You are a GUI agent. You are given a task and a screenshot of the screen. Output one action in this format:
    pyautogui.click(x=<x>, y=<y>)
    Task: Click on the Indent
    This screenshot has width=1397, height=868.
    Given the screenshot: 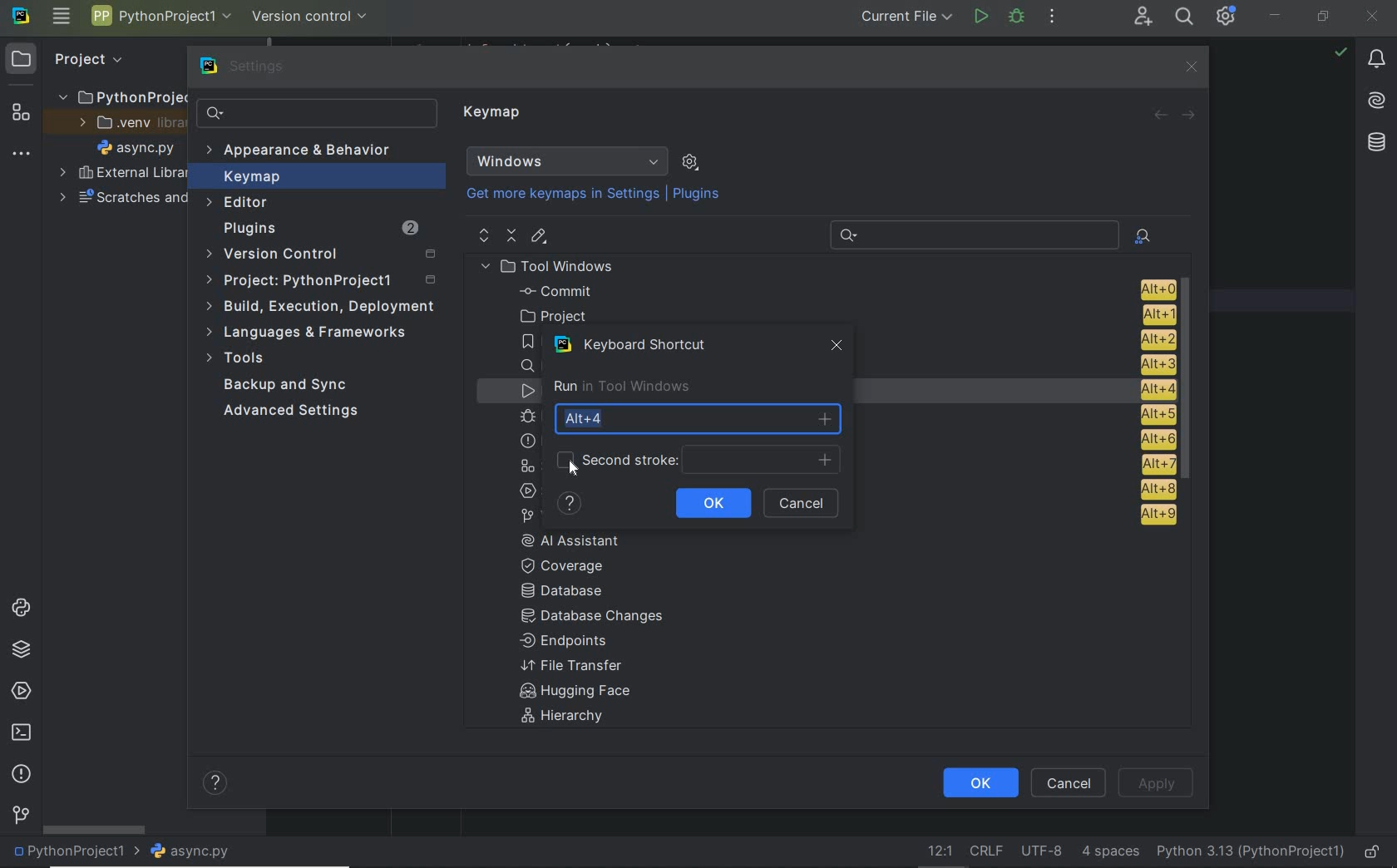 What is the action you would take?
    pyautogui.click(x=1110, y=853)
    